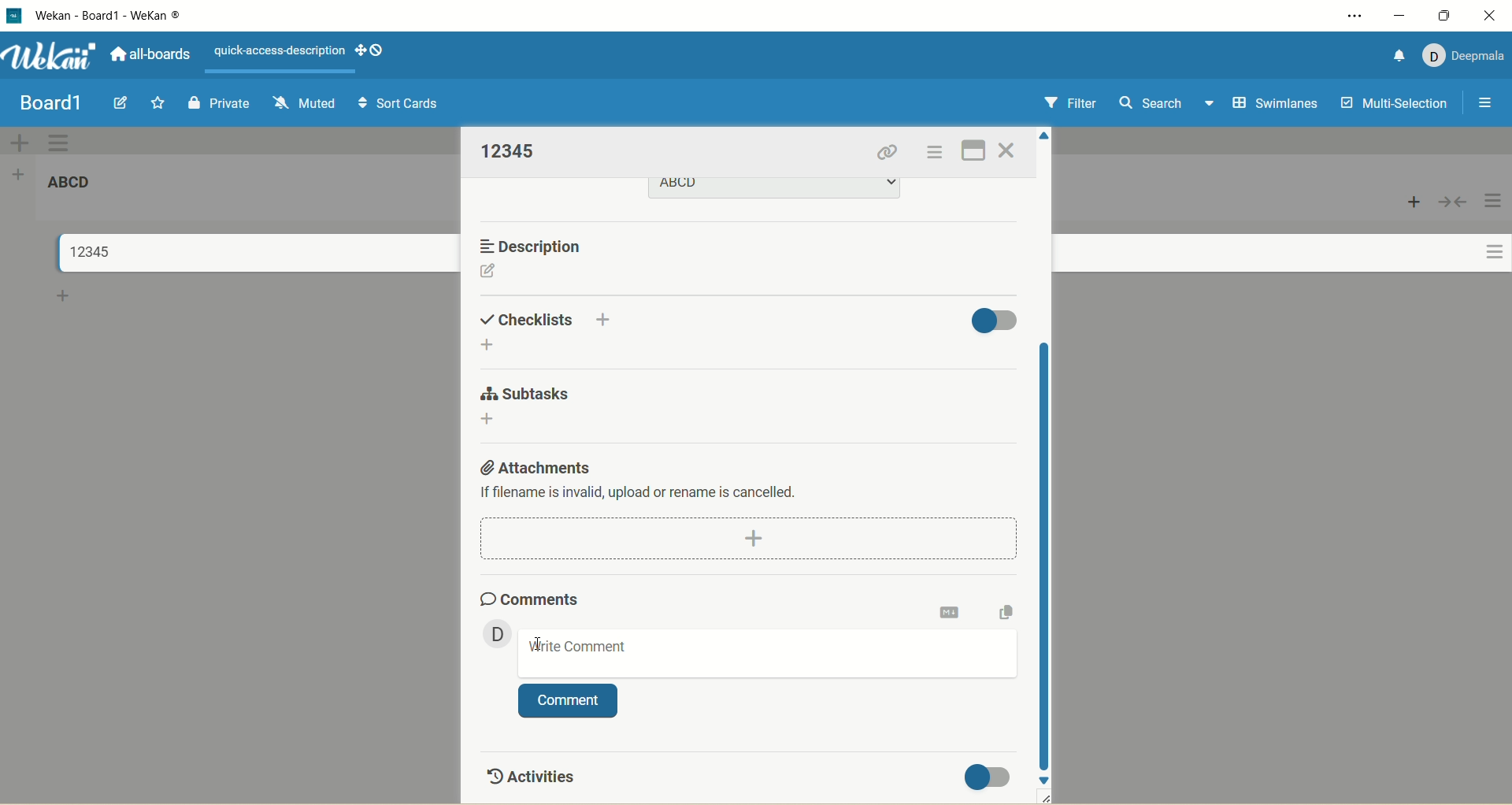  What do you see at coordinates (486, 420) in the screenshot?
I see `add` at bounding box center [486, 420].